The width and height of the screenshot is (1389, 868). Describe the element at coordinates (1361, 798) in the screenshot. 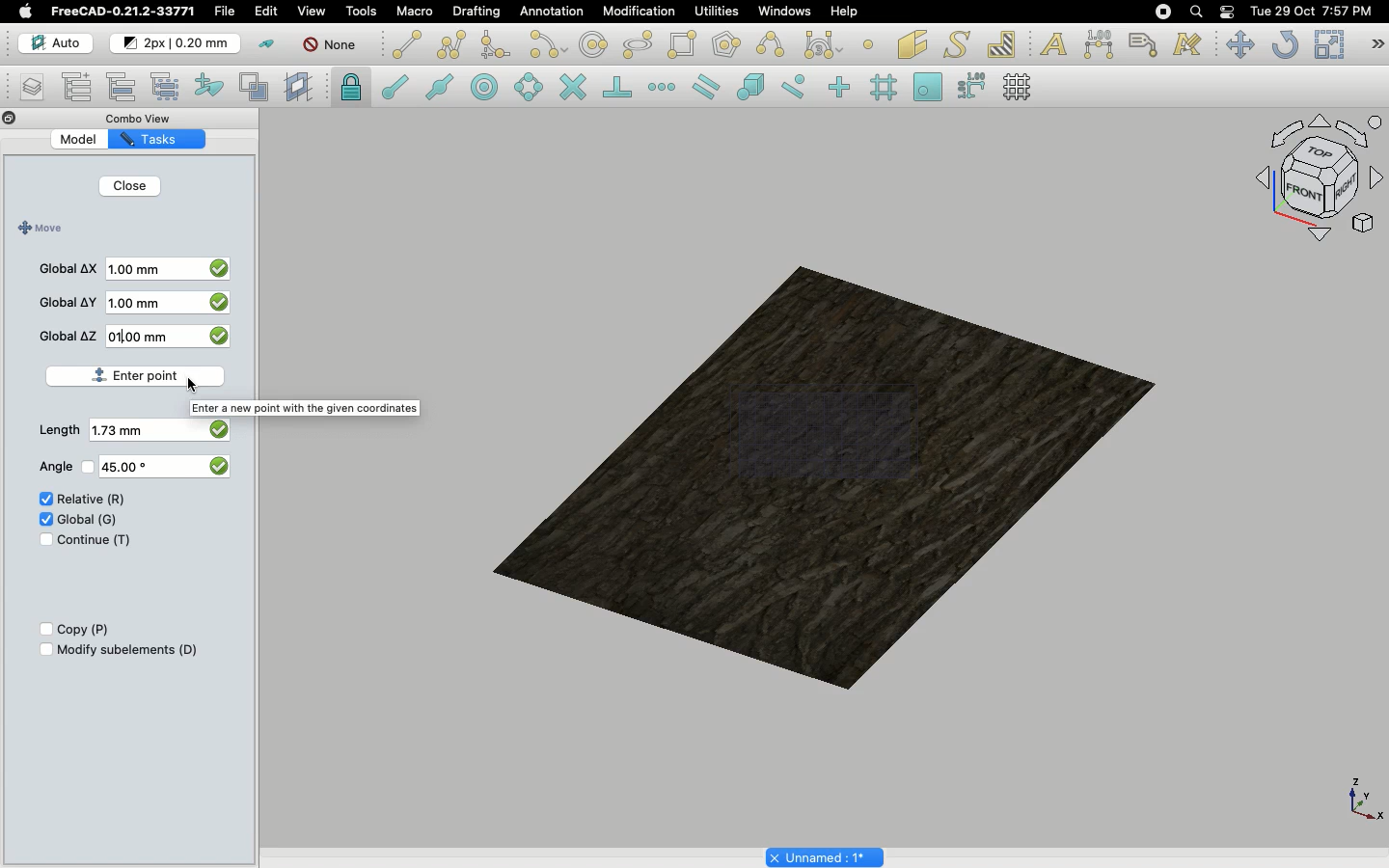

I see `Axis` at that location.